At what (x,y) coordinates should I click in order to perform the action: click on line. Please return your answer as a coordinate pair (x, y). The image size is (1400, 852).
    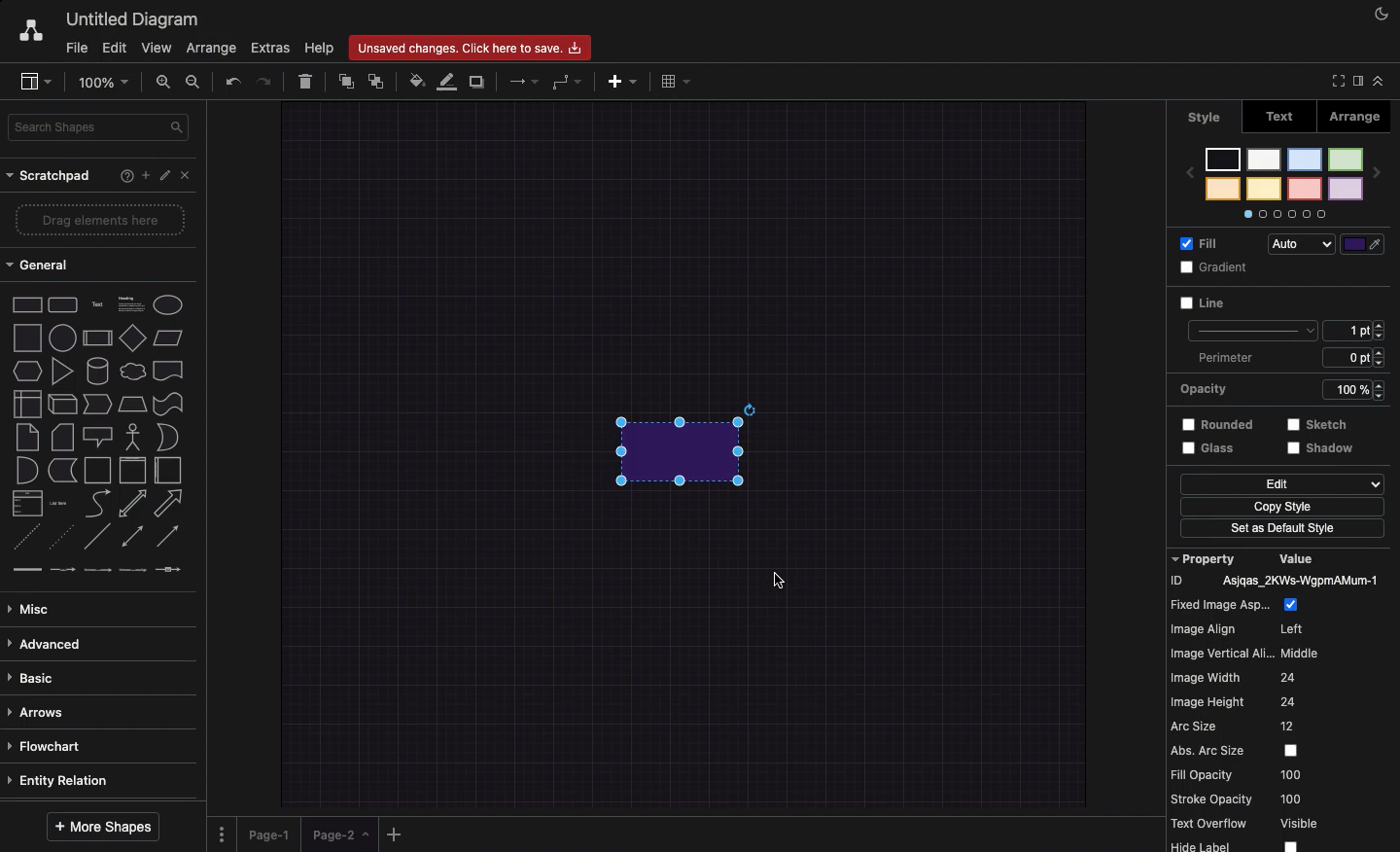
    Looking at the image, I should click on (97, 536).